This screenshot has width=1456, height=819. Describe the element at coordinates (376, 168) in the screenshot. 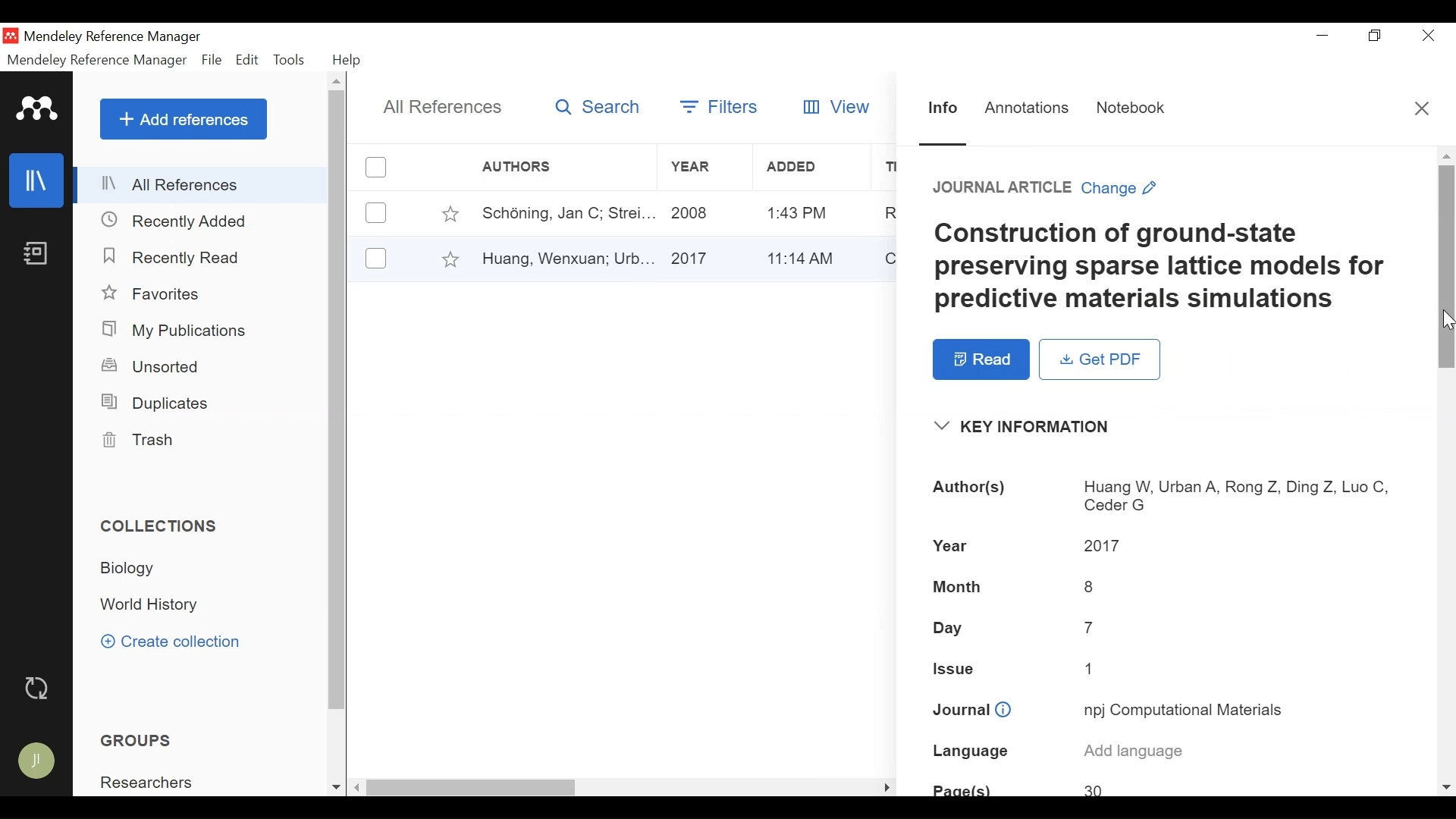

I see `(un)select all` at that location.